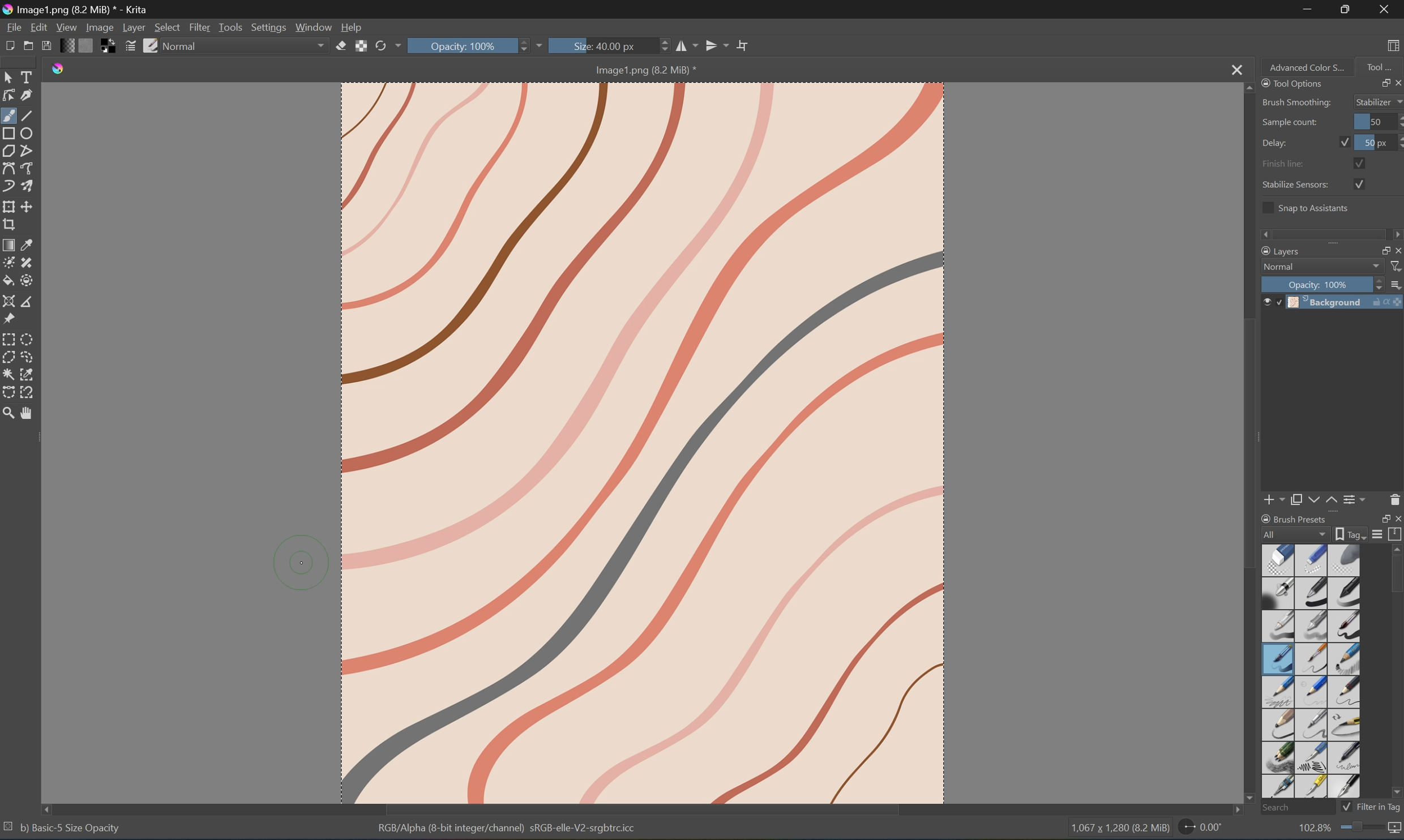  What do you see at coordinates (28, 243) in the screenshot?
I see `Sample a color from an image or area` at bounding box center [28, 243].